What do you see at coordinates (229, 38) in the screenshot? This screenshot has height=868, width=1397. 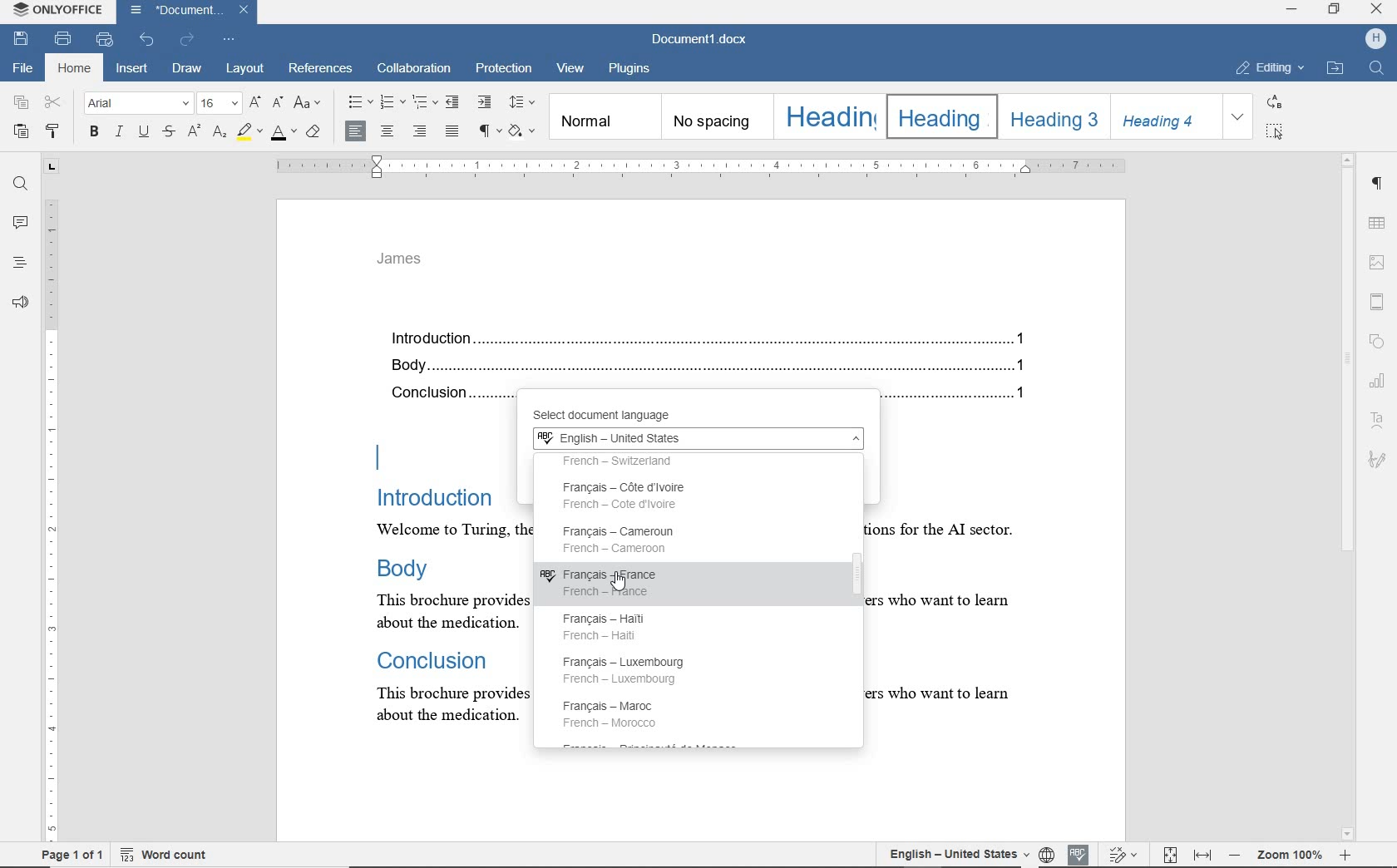 I see `customize quick access toolbar` at bounding box center [229, 38].